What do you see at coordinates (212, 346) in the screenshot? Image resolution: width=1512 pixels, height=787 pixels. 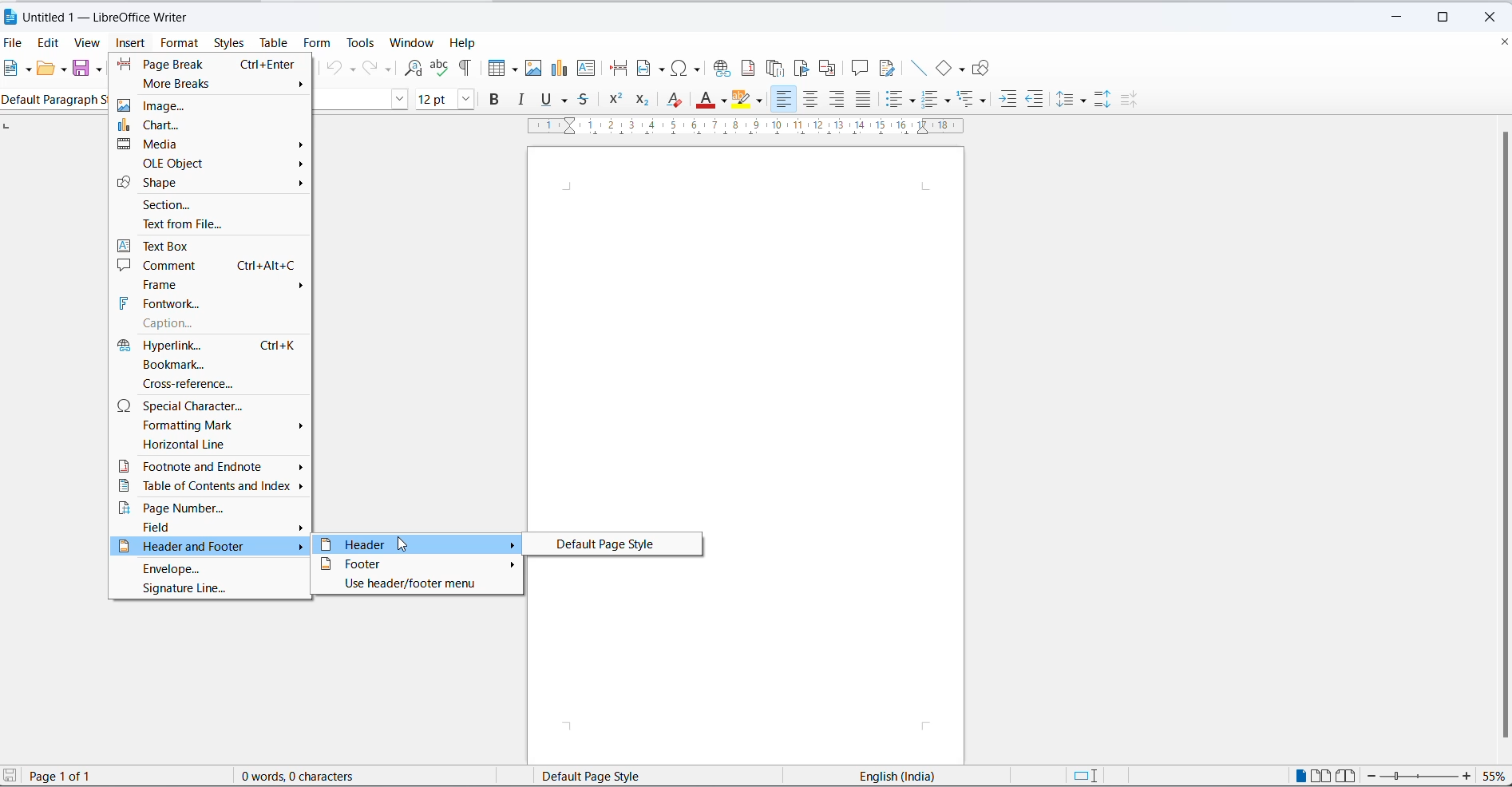 I see `hyperlink` at bounding box center [212, 346].